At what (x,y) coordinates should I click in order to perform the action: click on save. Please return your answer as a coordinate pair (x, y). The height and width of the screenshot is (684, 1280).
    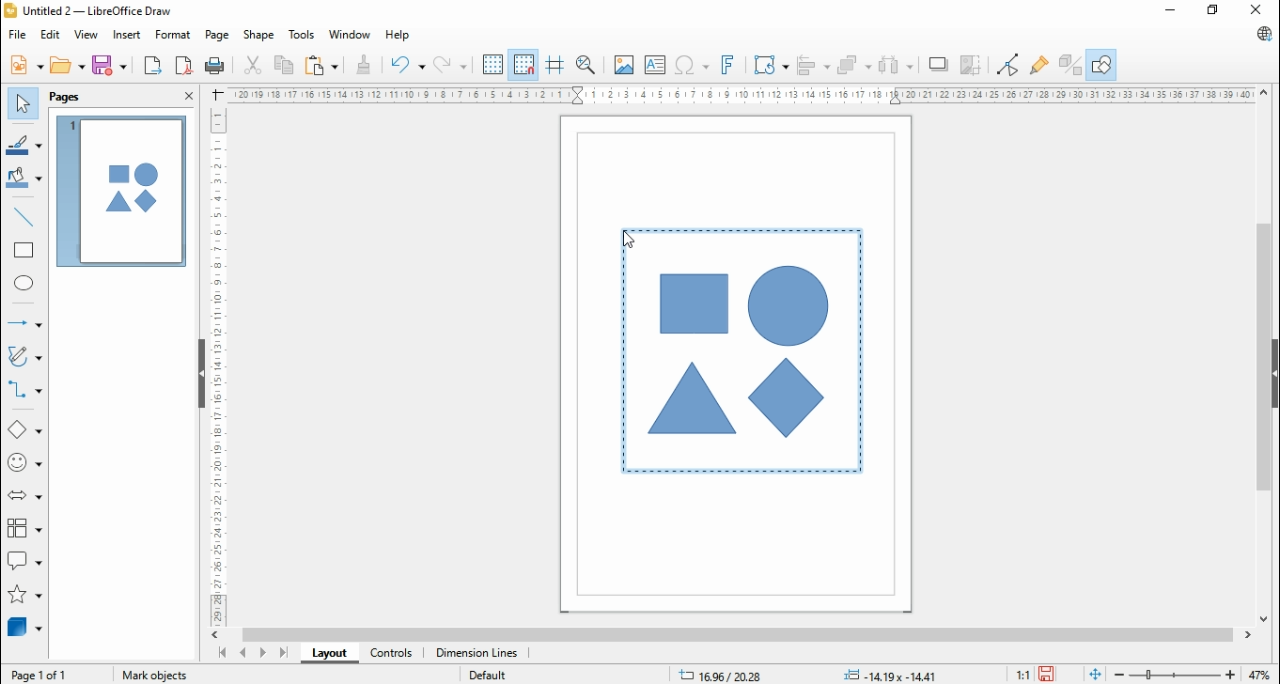
    Looking at the image, I should click on (1046, 674).